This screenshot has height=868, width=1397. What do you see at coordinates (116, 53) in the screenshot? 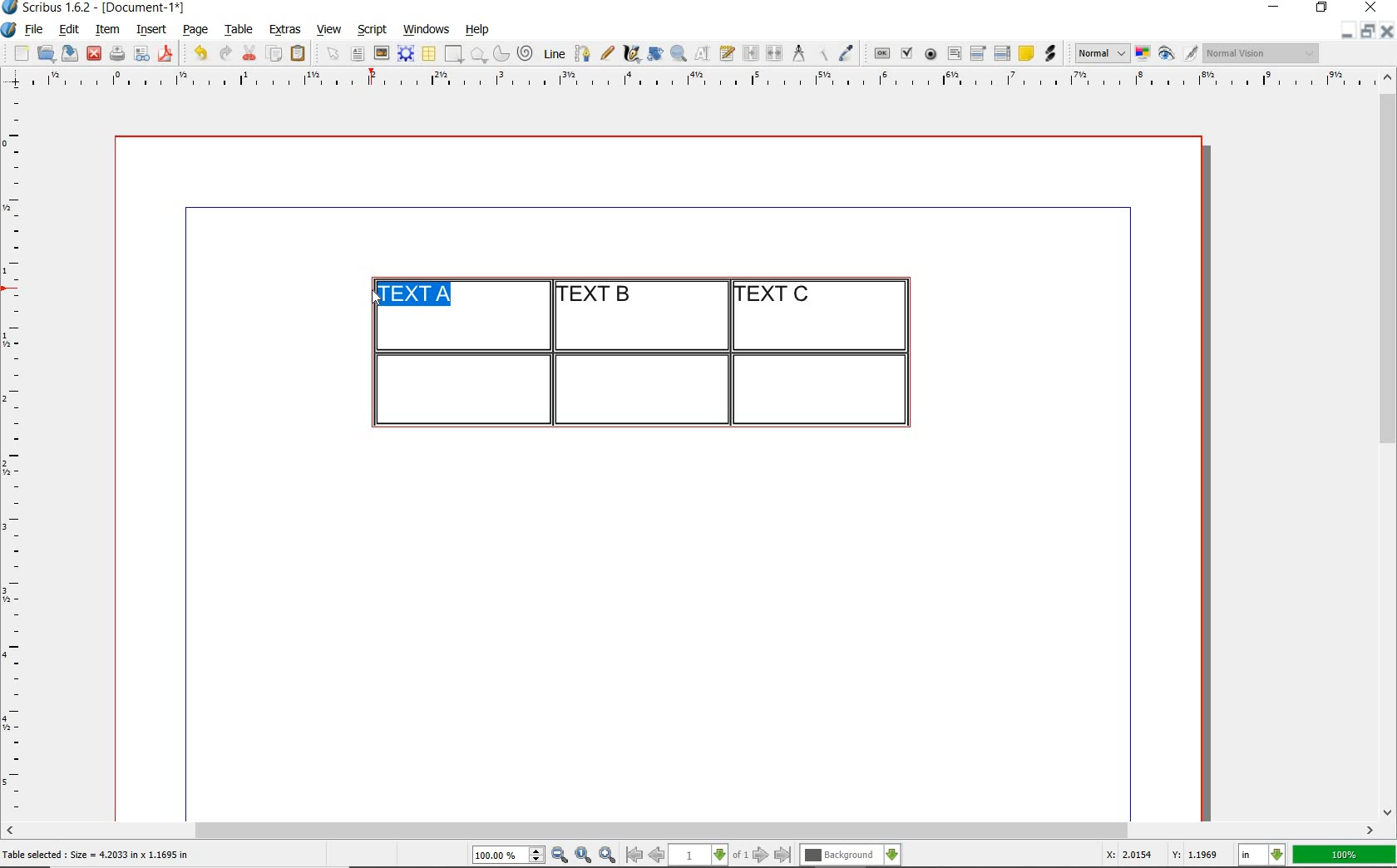
I see `print` at bounding box center [116, 53].